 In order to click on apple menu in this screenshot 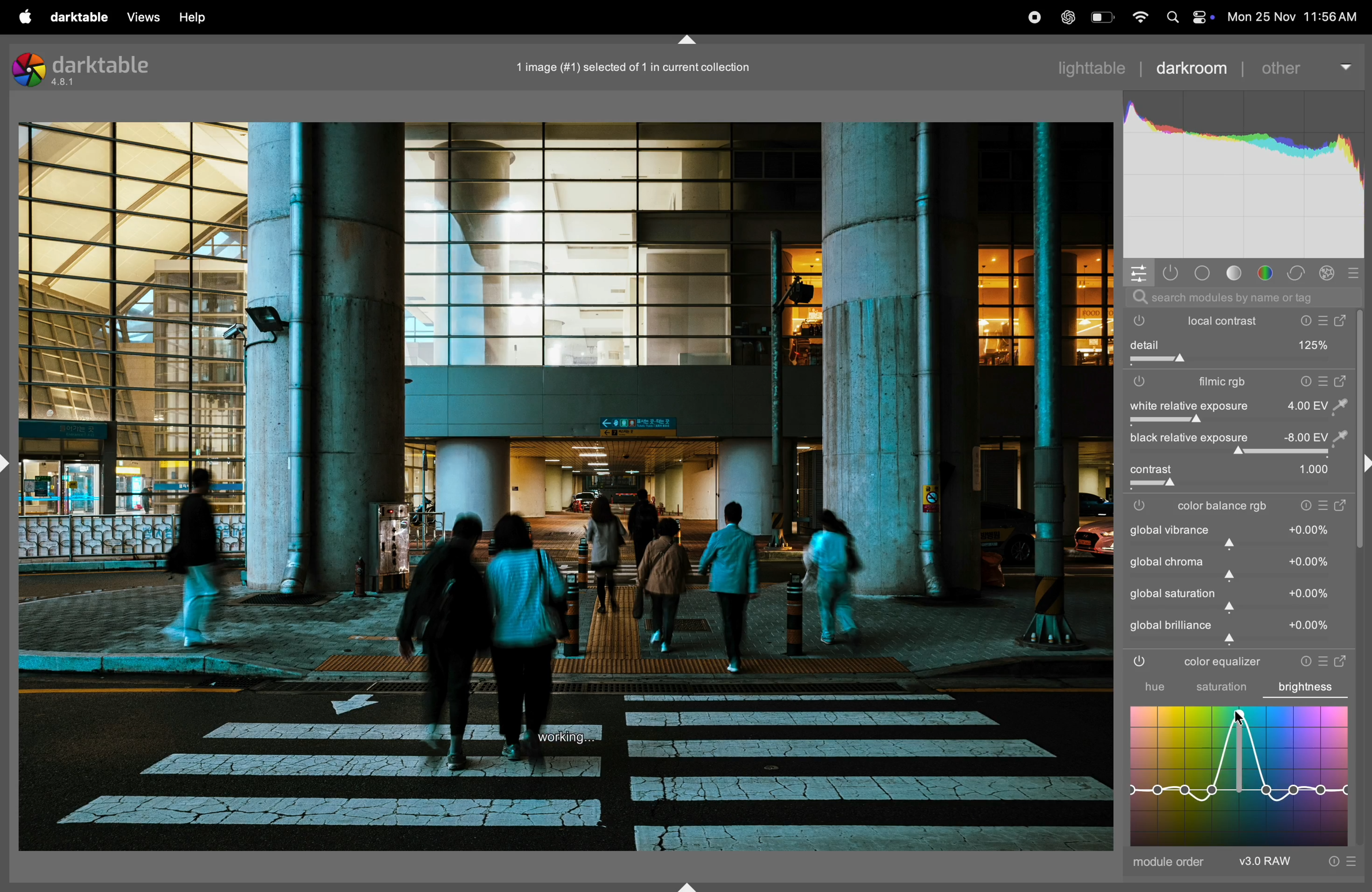, I will do `click(25, 17)`.